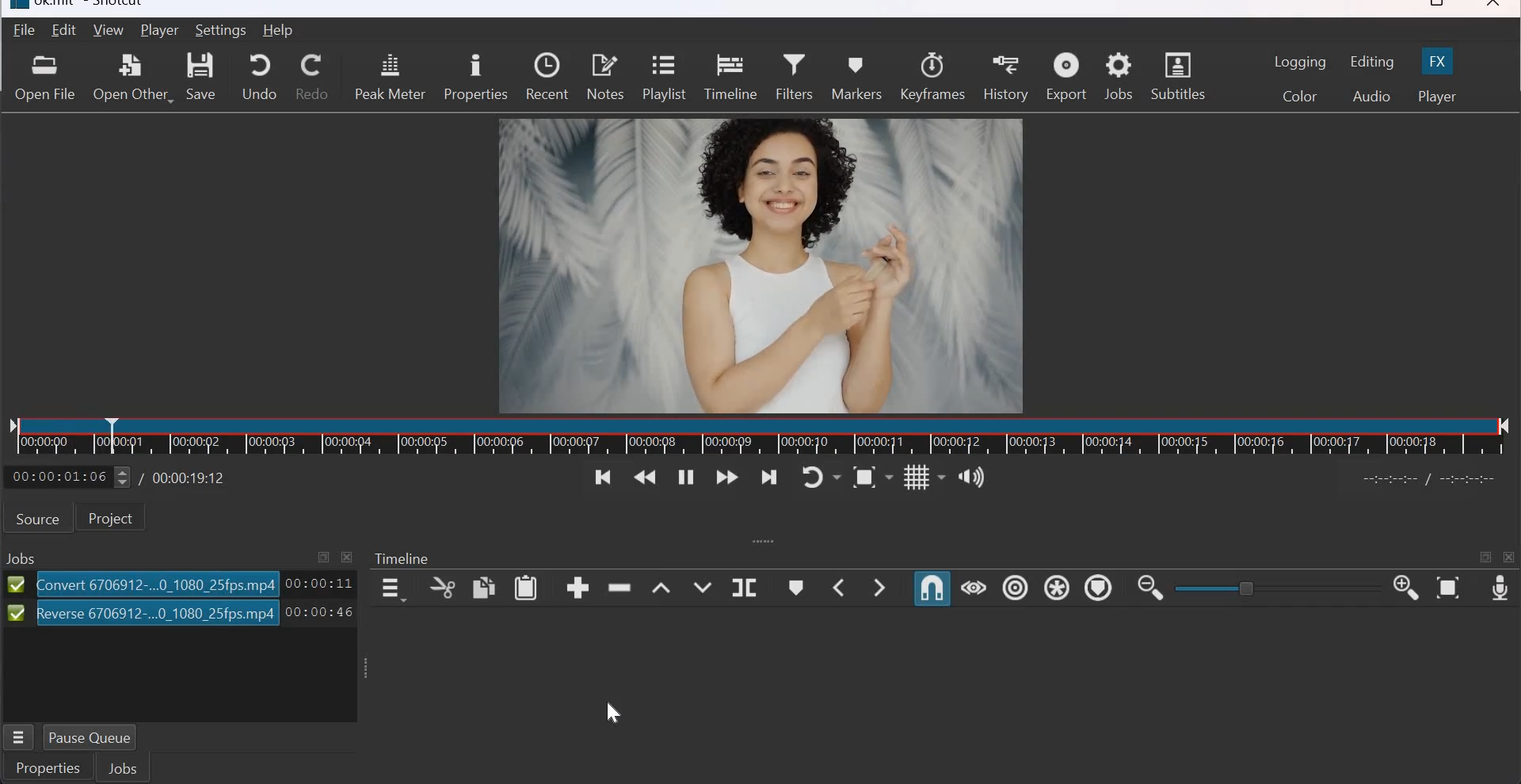 The height and width of the screenshot is (784, 1521). I want to click on Toggle play or pause, so click(686, 477).